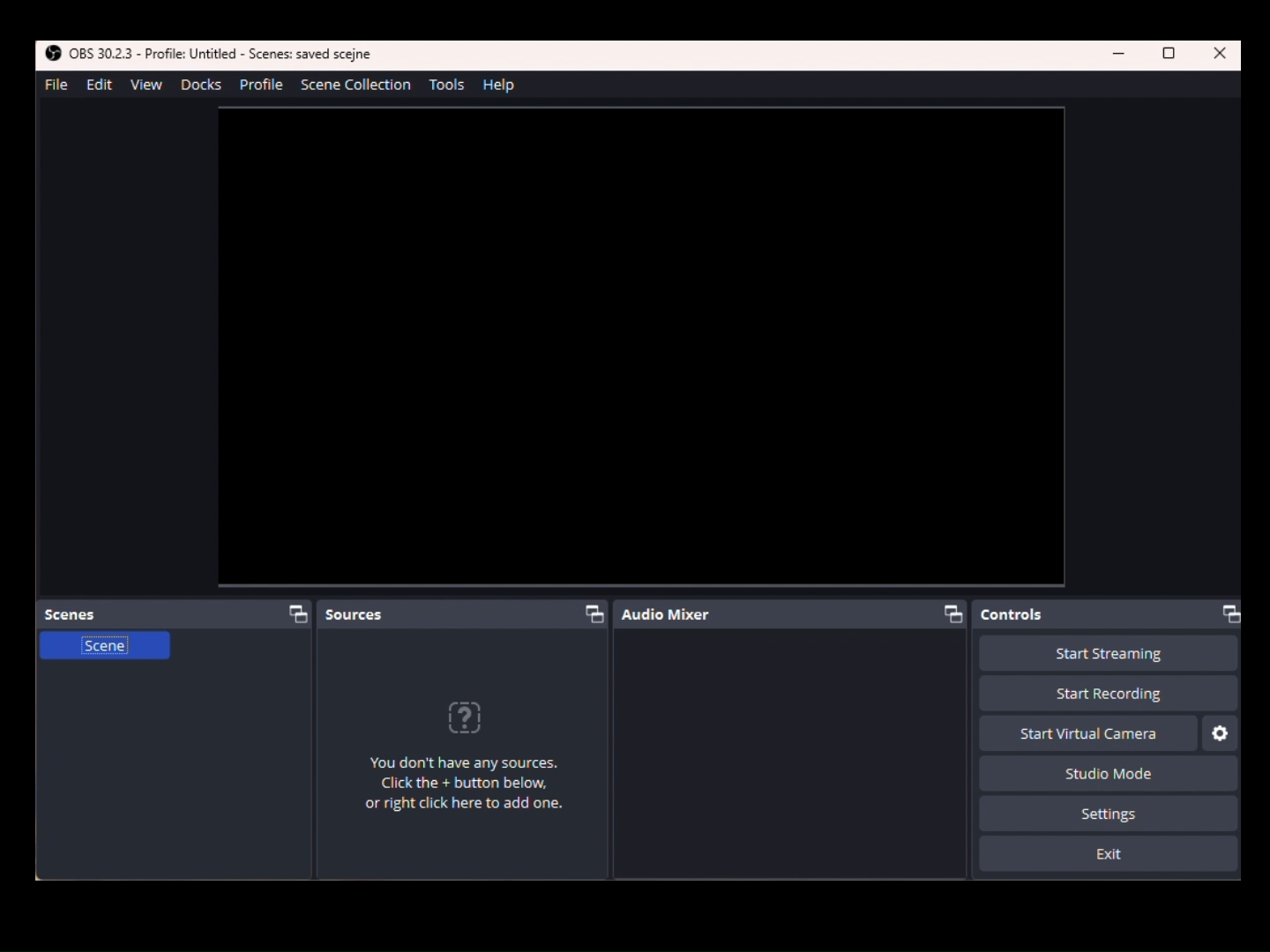 This screenshot has width=1270, height=952. What do you see at coordinates (475, 762) in the screenshot?
I see `Any Sources` at bounding box center [475, 762].